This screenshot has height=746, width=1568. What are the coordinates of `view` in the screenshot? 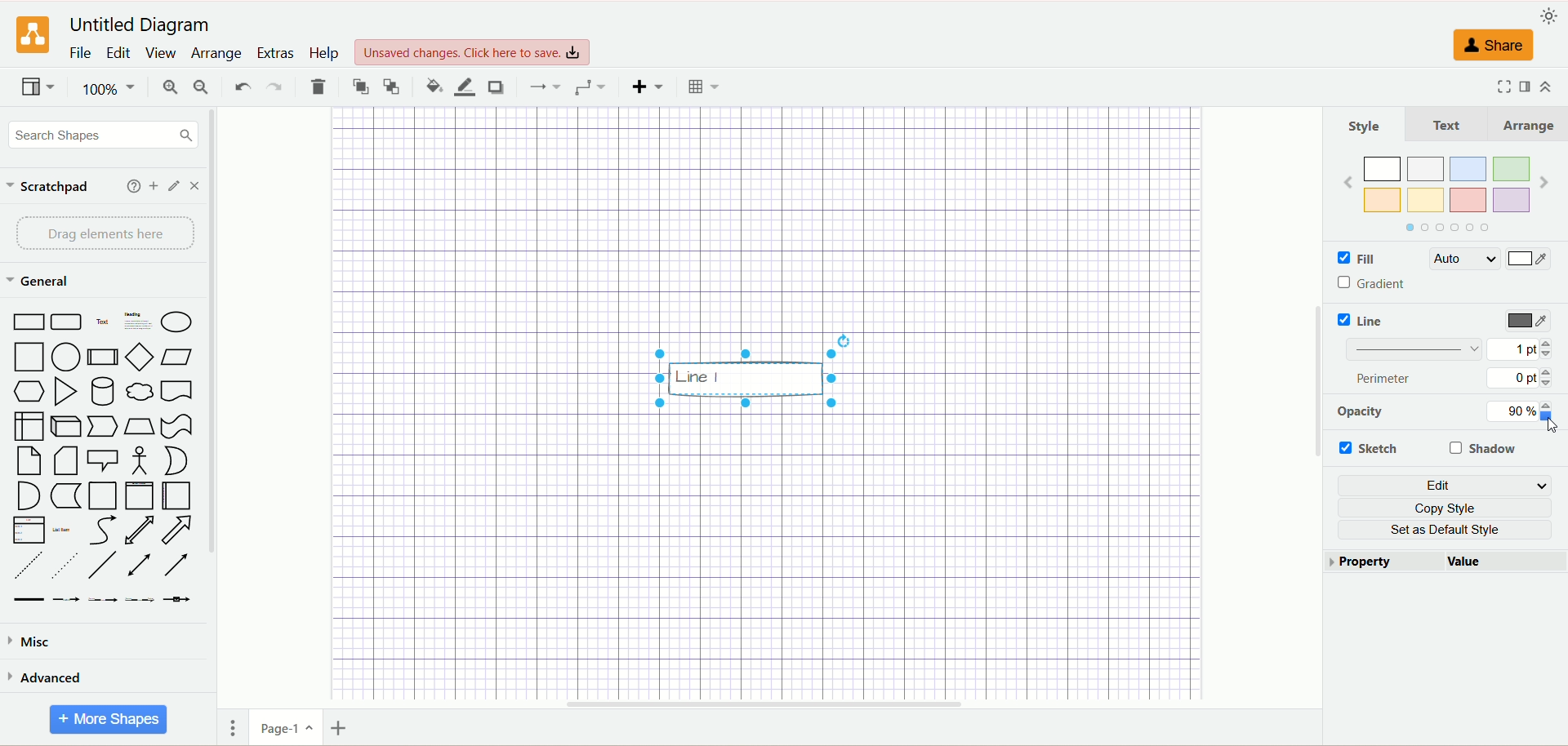 It's located at (37, 87).